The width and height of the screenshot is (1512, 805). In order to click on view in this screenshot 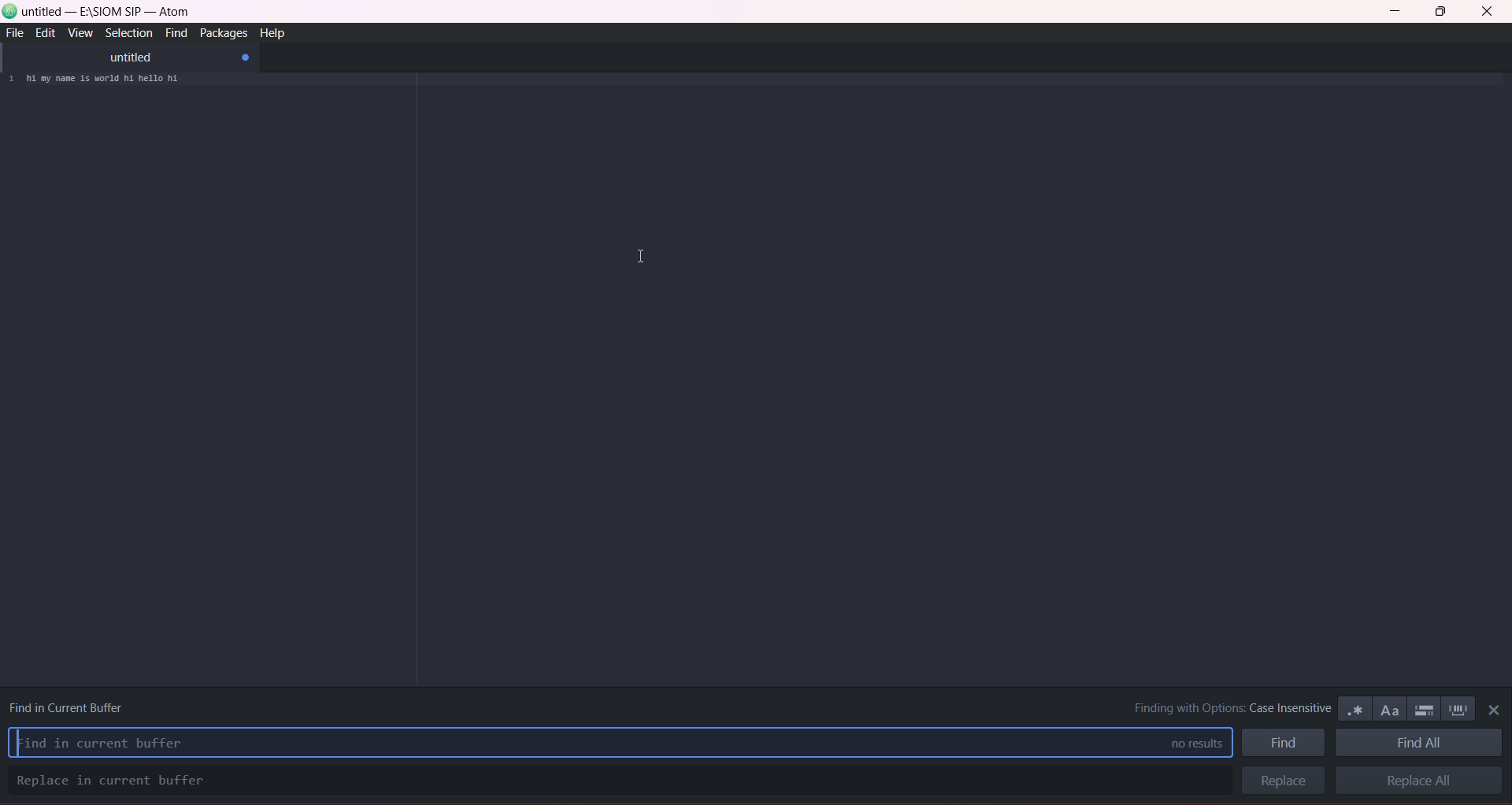, I will do `click(80, 34)`.